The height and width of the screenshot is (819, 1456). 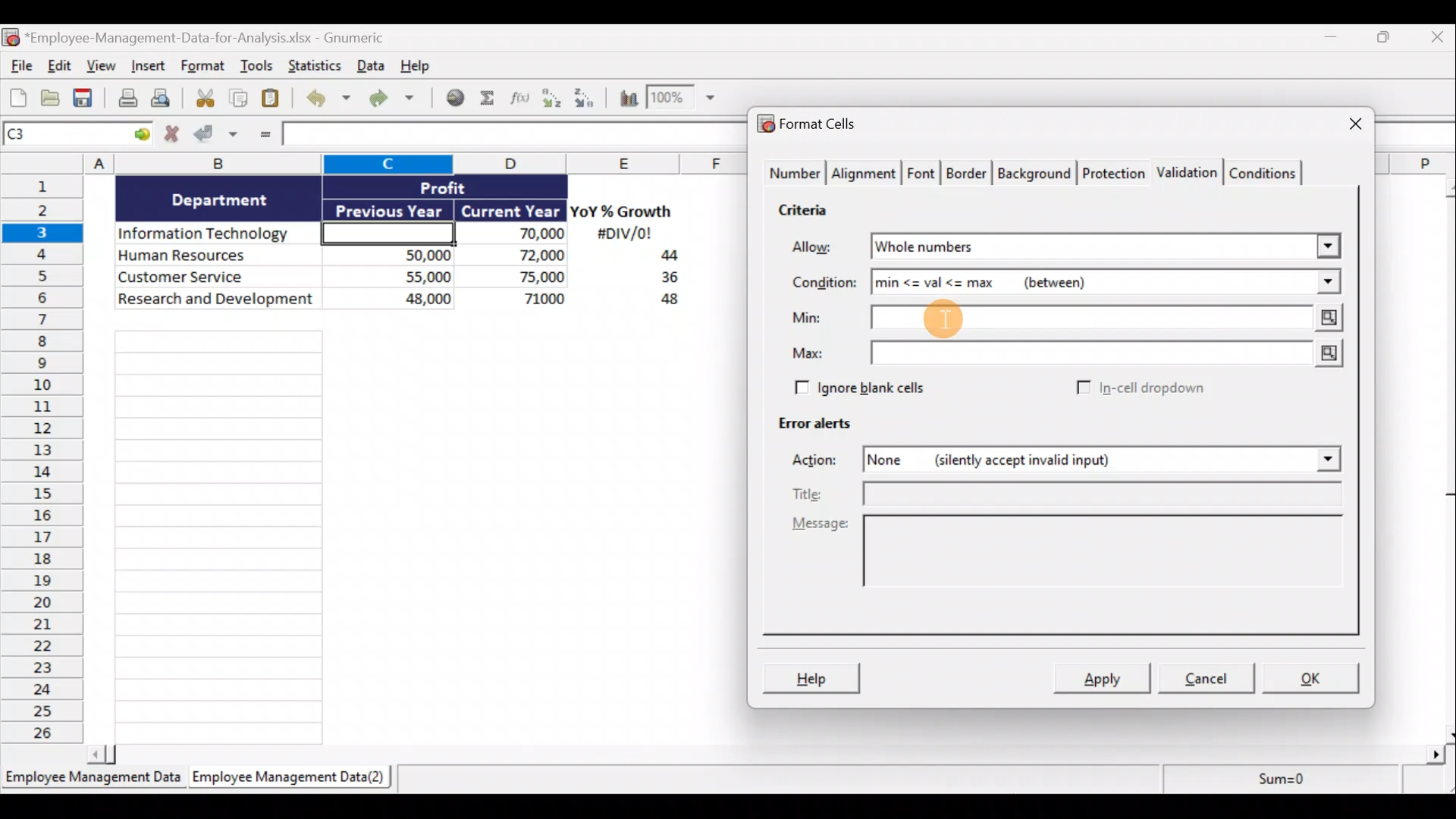 What do you see at coordinates (1103, 353) in the screenshot?
I see `Max value` at bounding box center [1103, 353].